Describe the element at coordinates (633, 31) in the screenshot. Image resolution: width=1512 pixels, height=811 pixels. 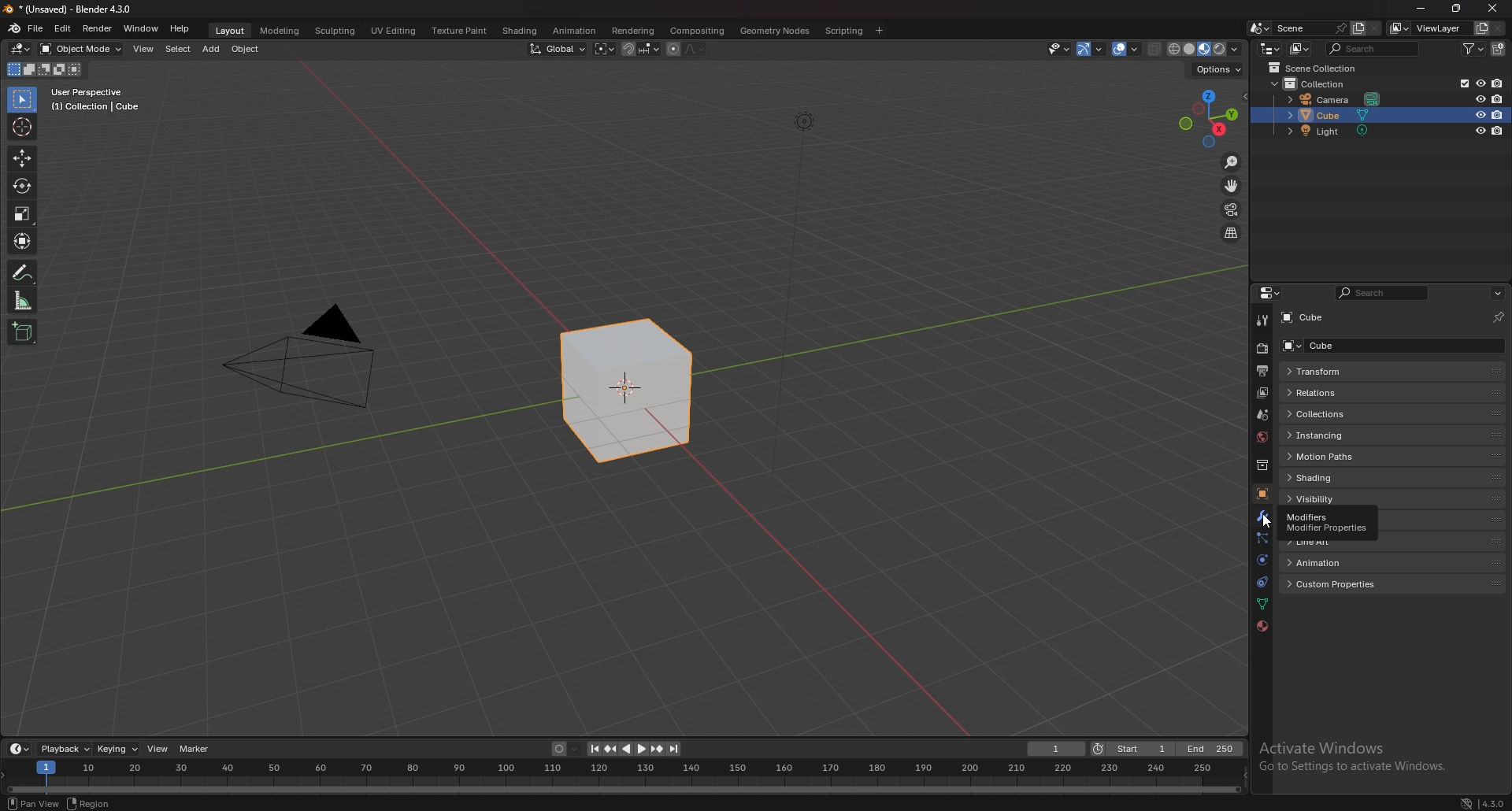
I see `rendering` at that location.